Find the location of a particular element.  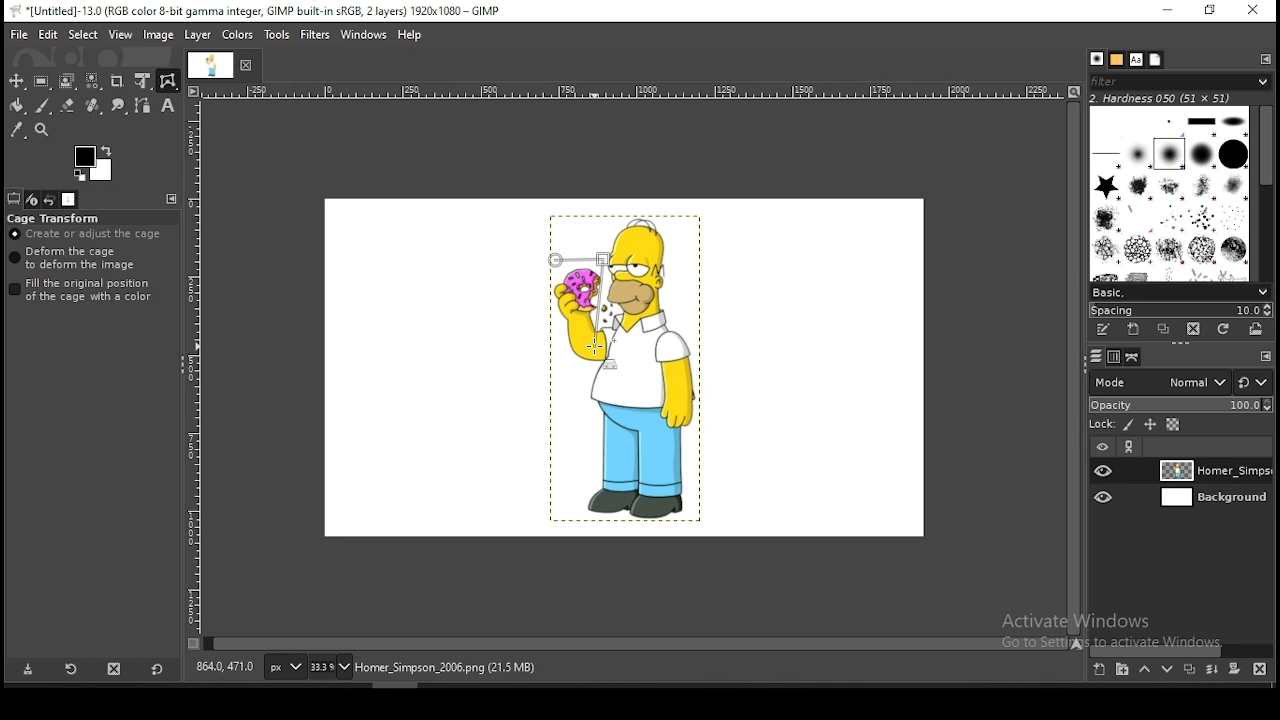

configure this tab is located at coordinates (171, 198).